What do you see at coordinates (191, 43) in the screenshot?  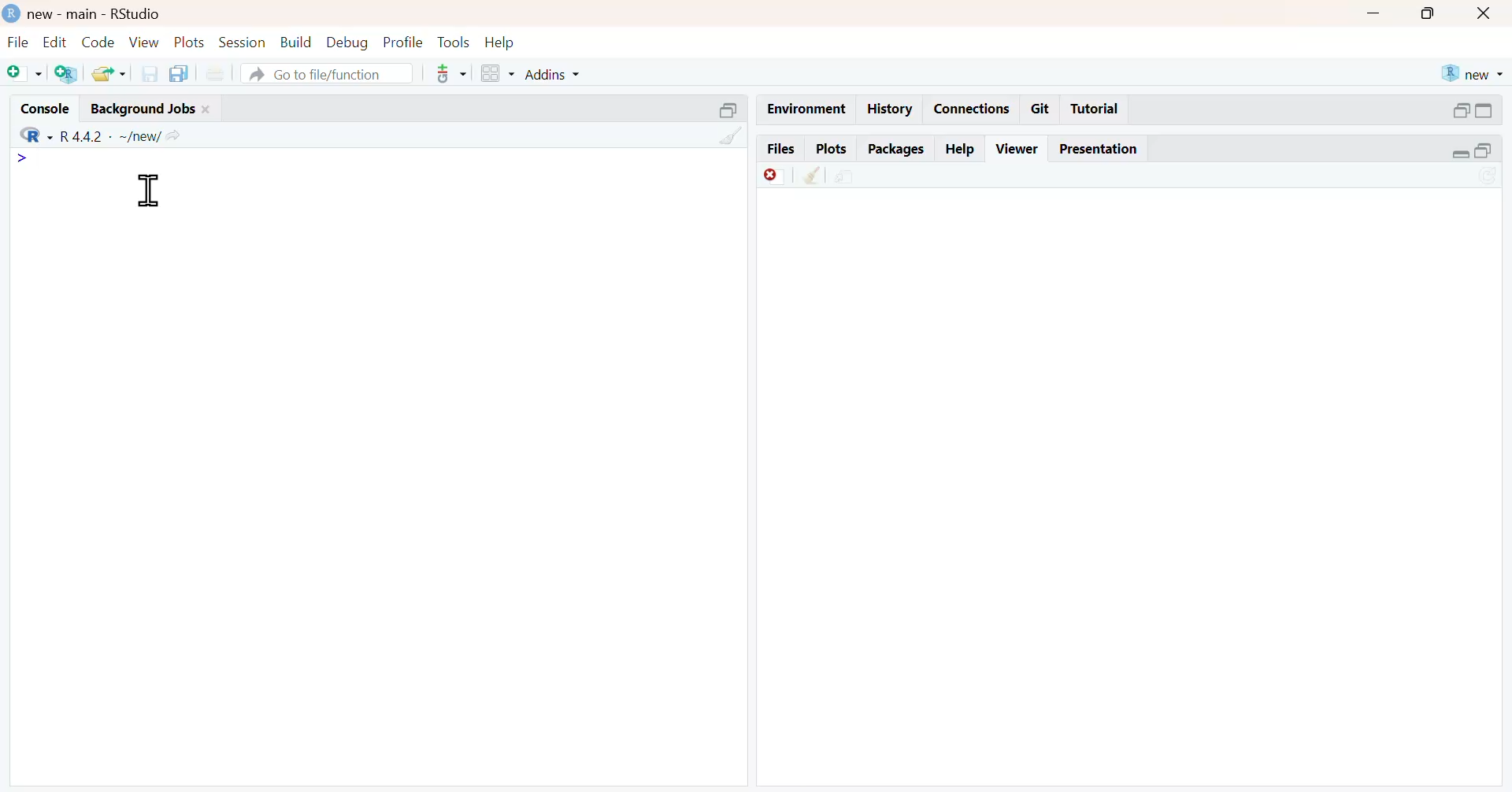 I see `plots` at bounding box center [191, 43].